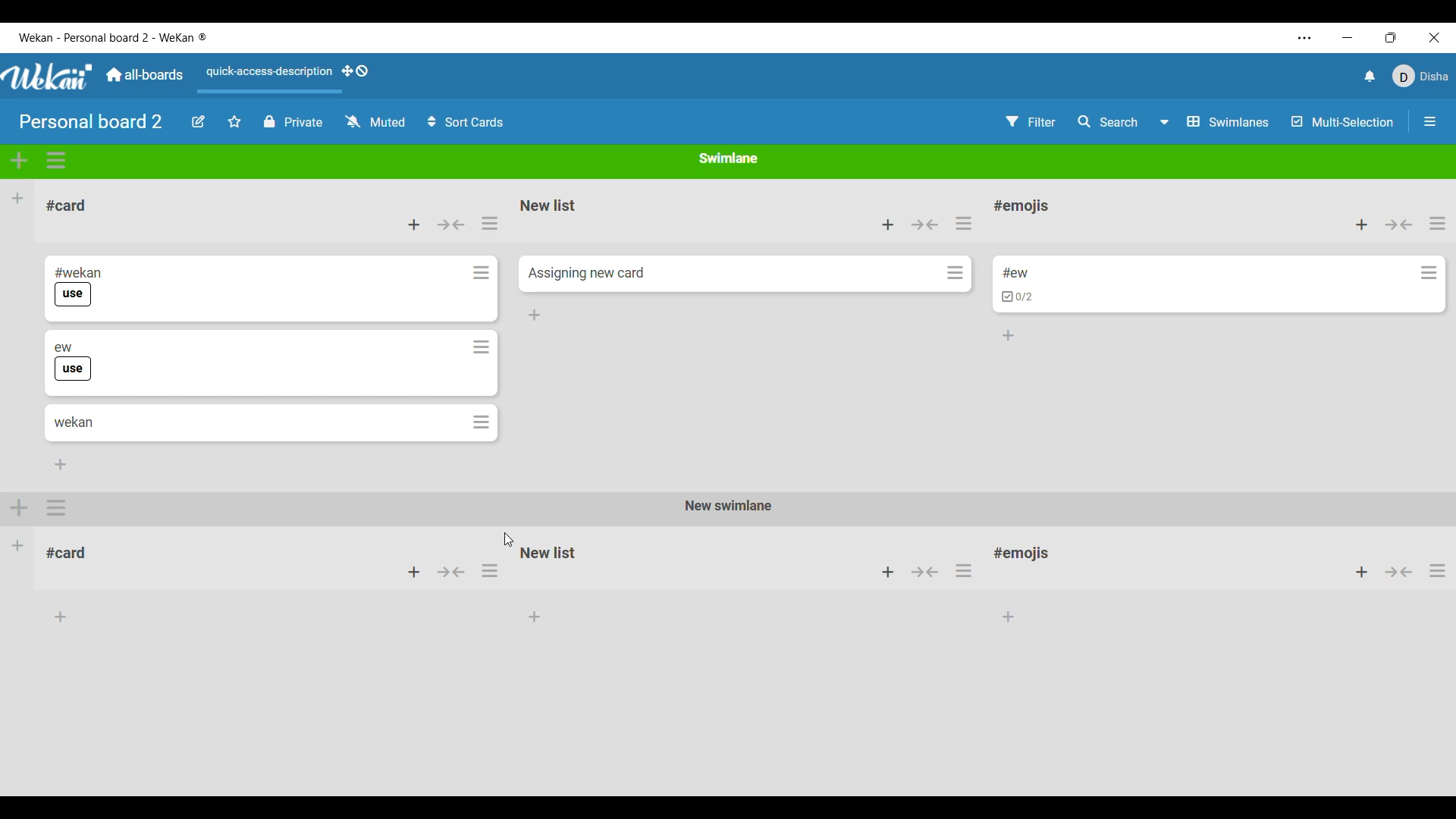 Image resolution: width=1456 pixels, height=819 pixels. I want to click on Card title and label, so click(74, 428).